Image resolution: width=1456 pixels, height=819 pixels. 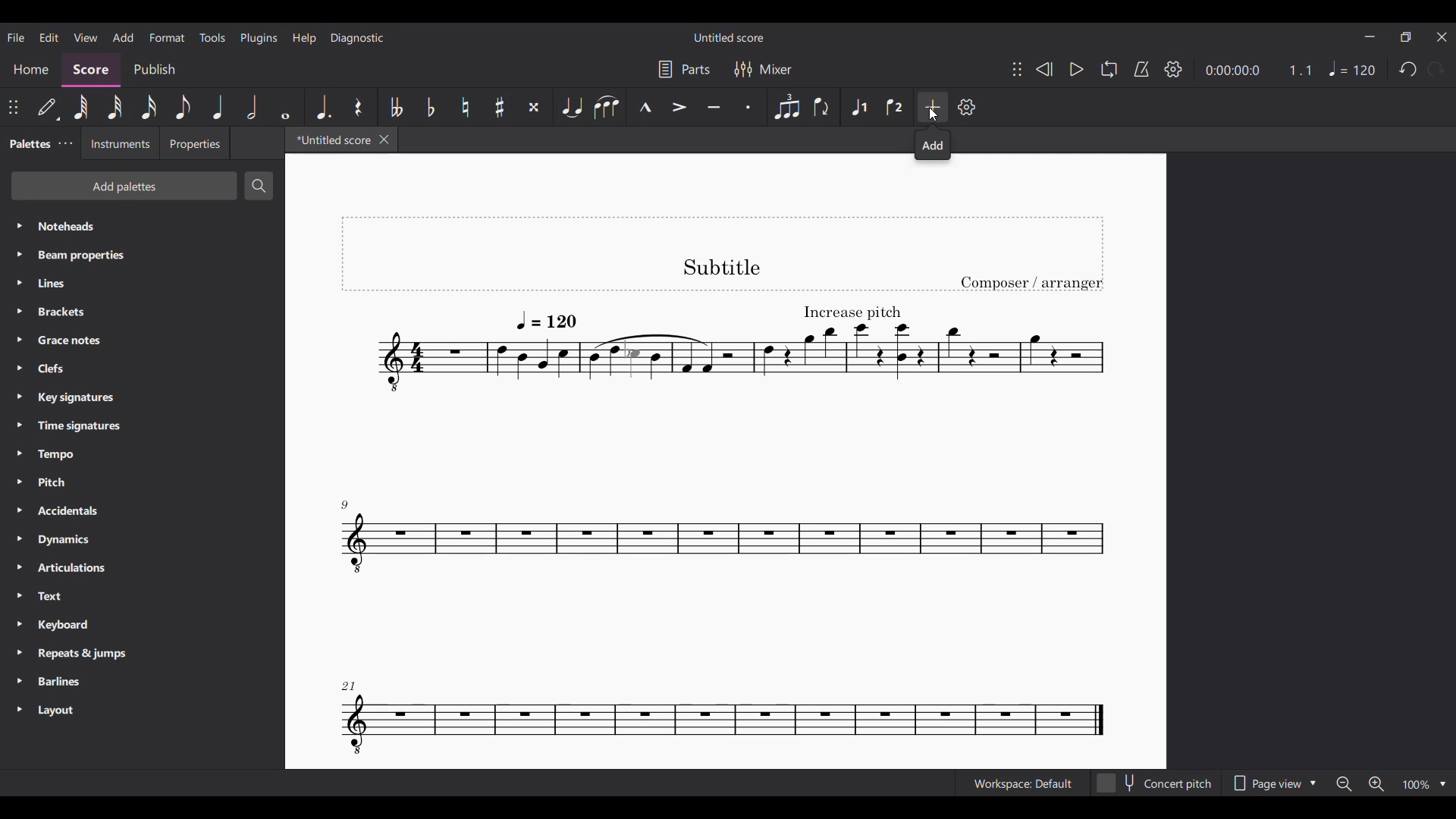 I want to click on Keyboard, so click(x=143, y=624).